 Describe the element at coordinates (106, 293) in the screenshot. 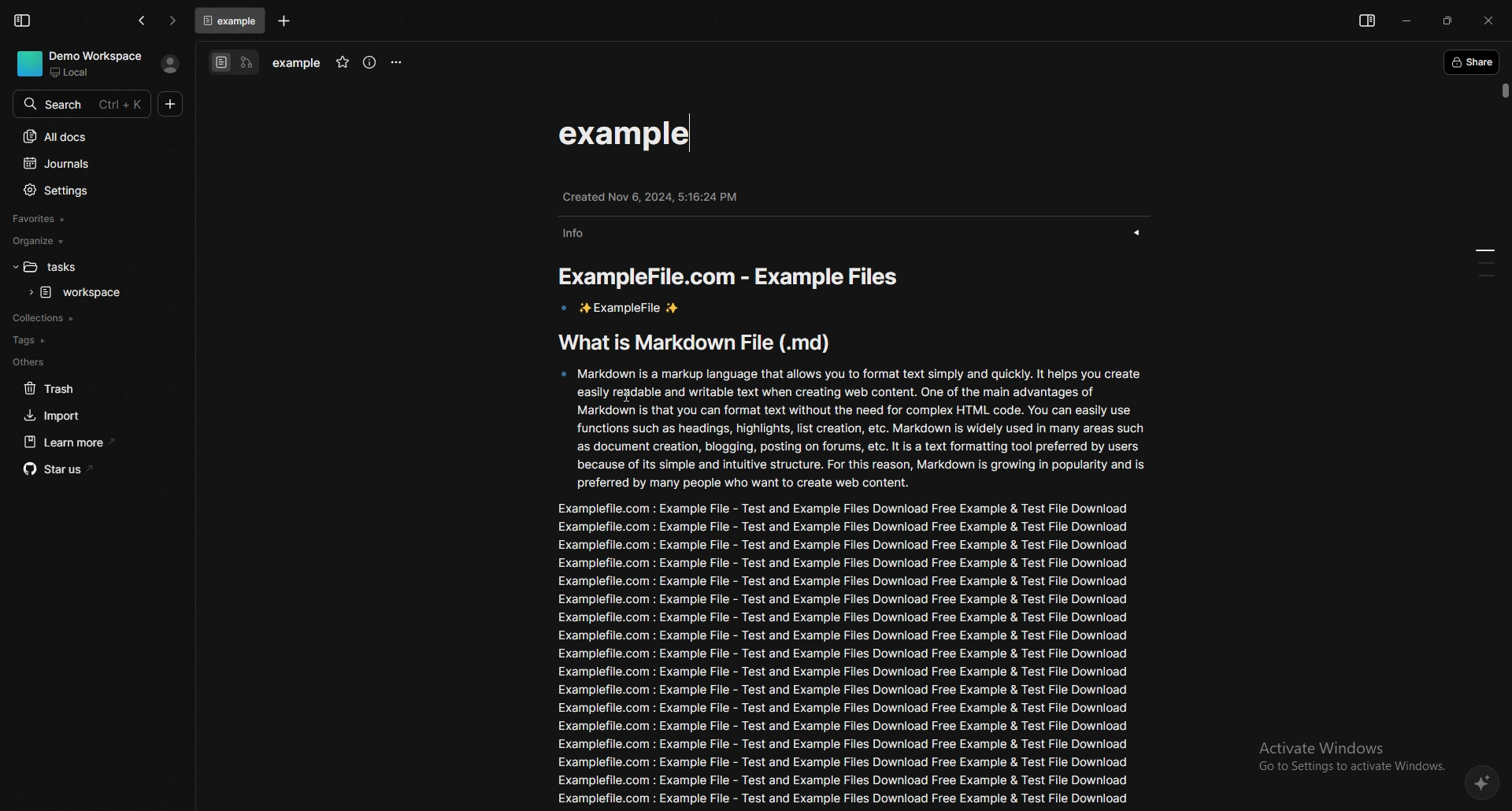

I see `task` at that location.